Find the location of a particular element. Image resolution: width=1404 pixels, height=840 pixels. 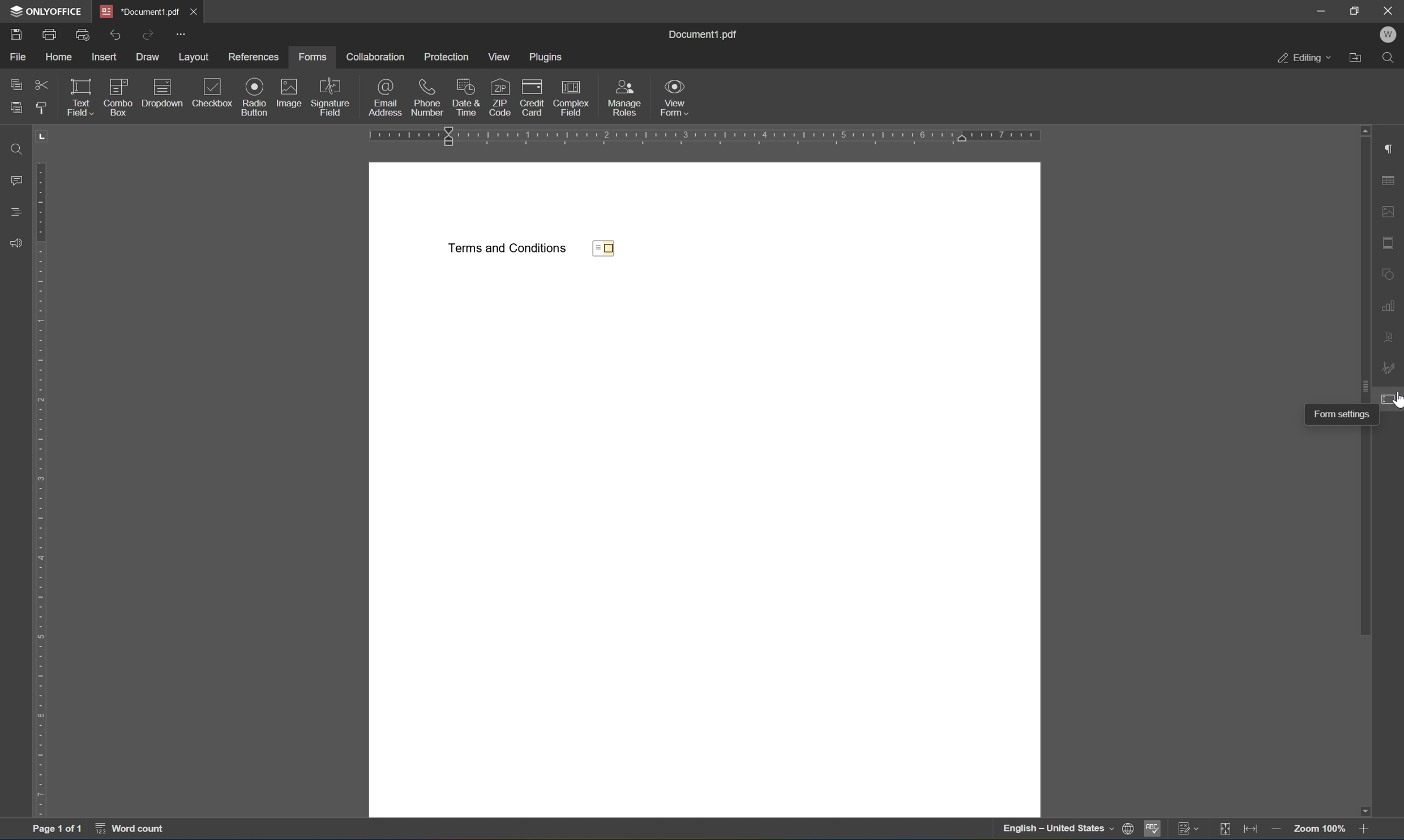

document1.pdf is located at coordinates (707, 36).